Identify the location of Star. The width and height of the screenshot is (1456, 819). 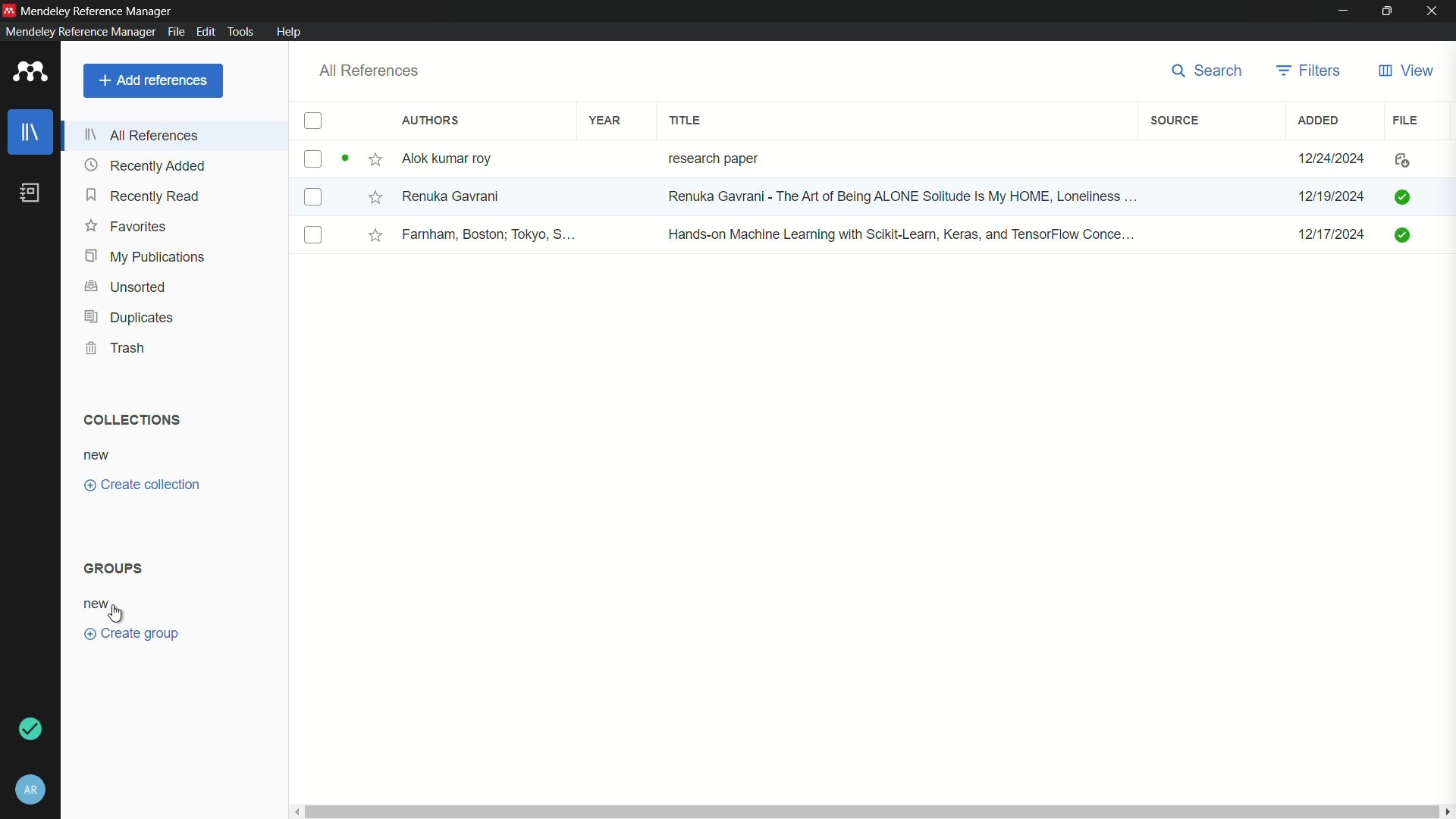
(376, 235).